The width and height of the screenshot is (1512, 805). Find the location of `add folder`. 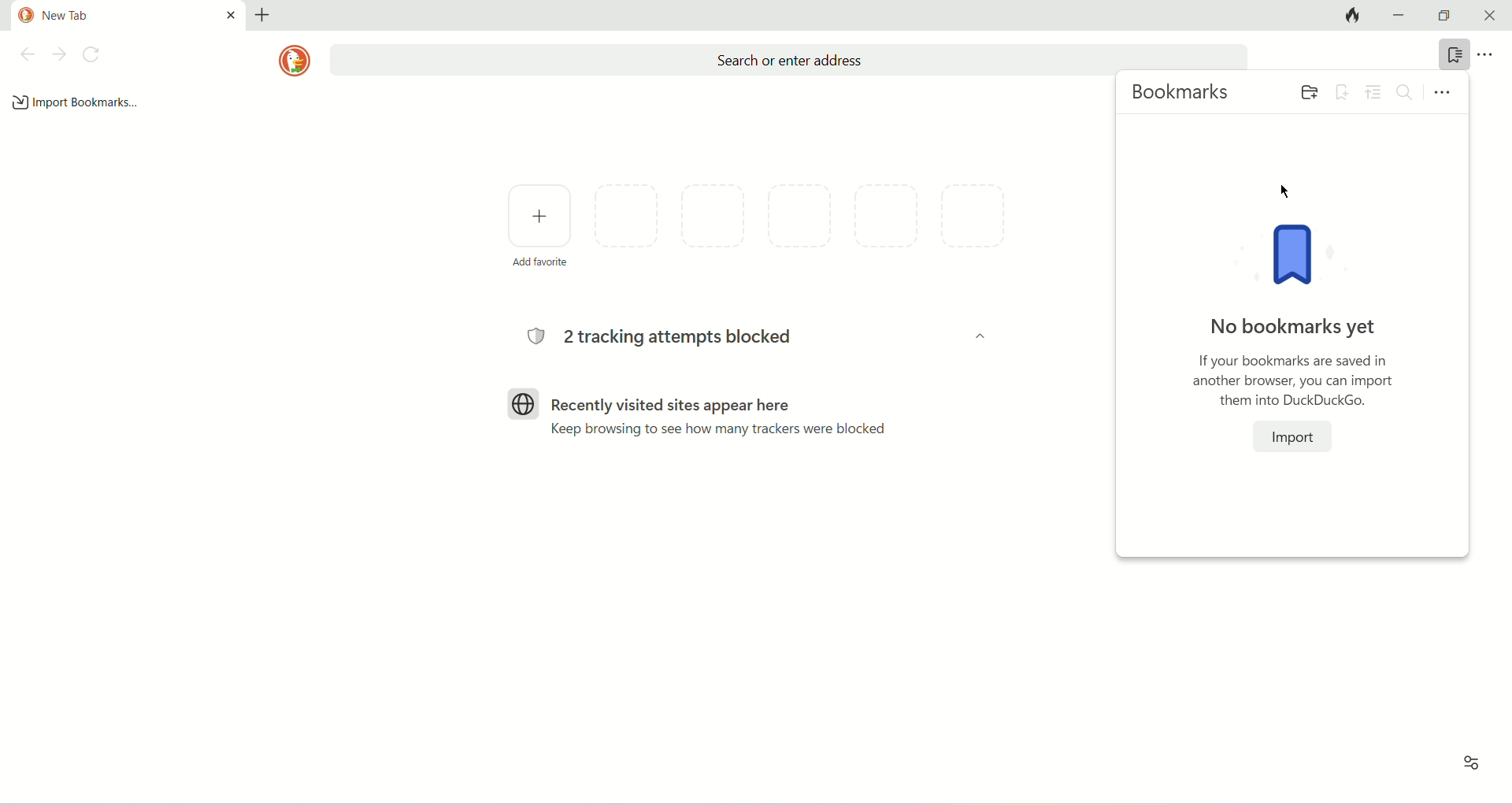

add folder is located at coordinates (1306, 91).